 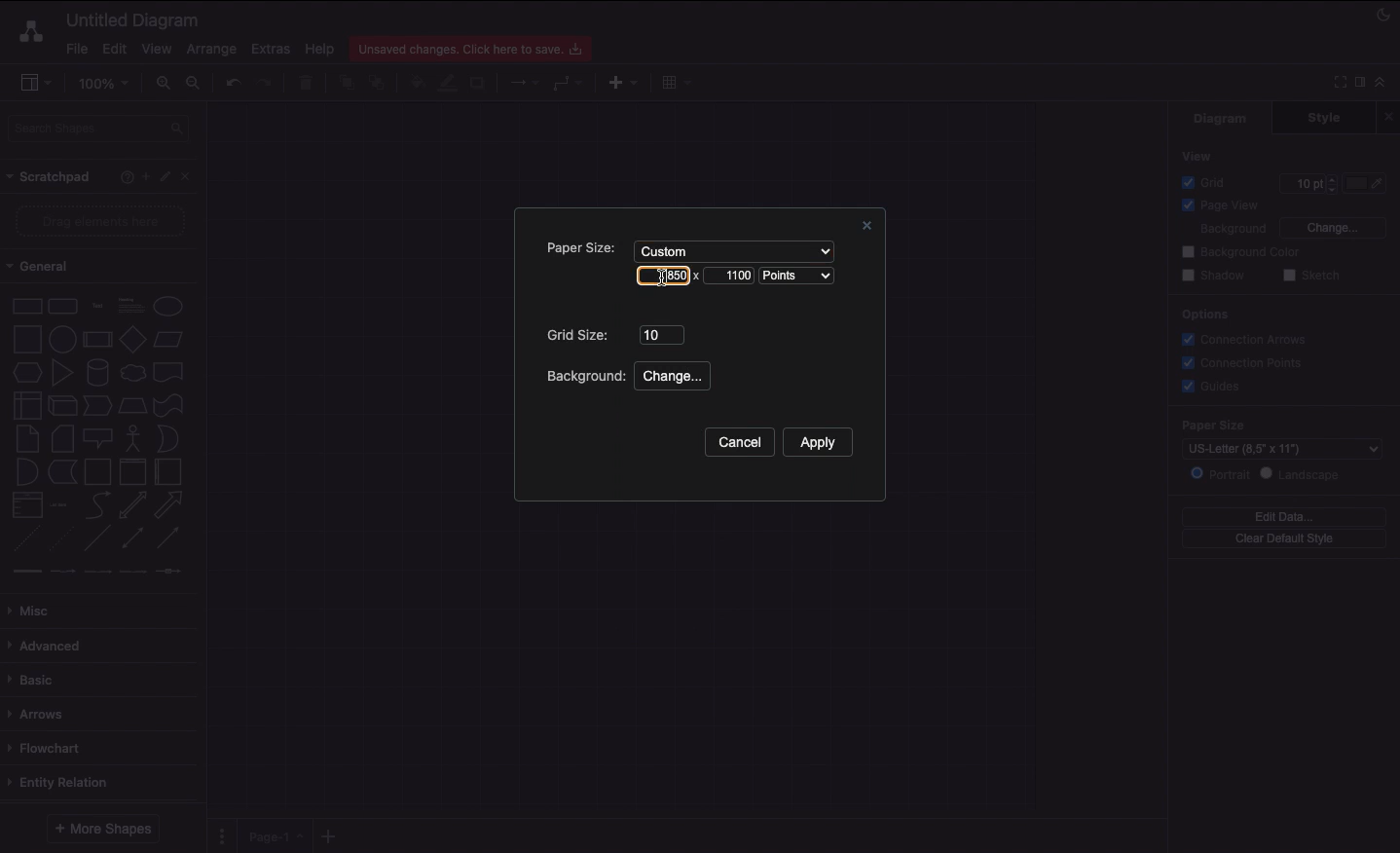 I want to click on connector 1, so click(x=24, y=572).